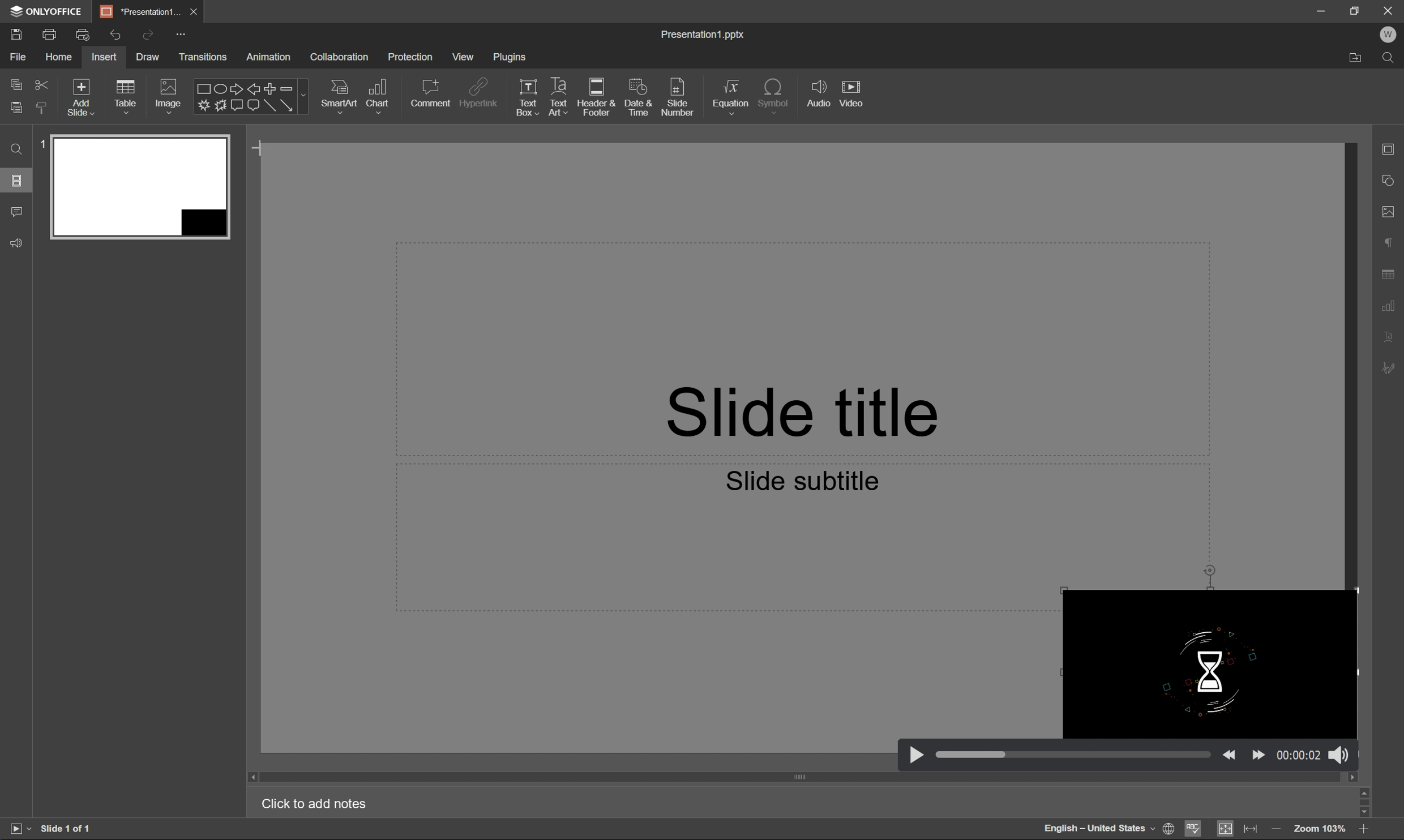  I want to click on text art, so click(560, 95).